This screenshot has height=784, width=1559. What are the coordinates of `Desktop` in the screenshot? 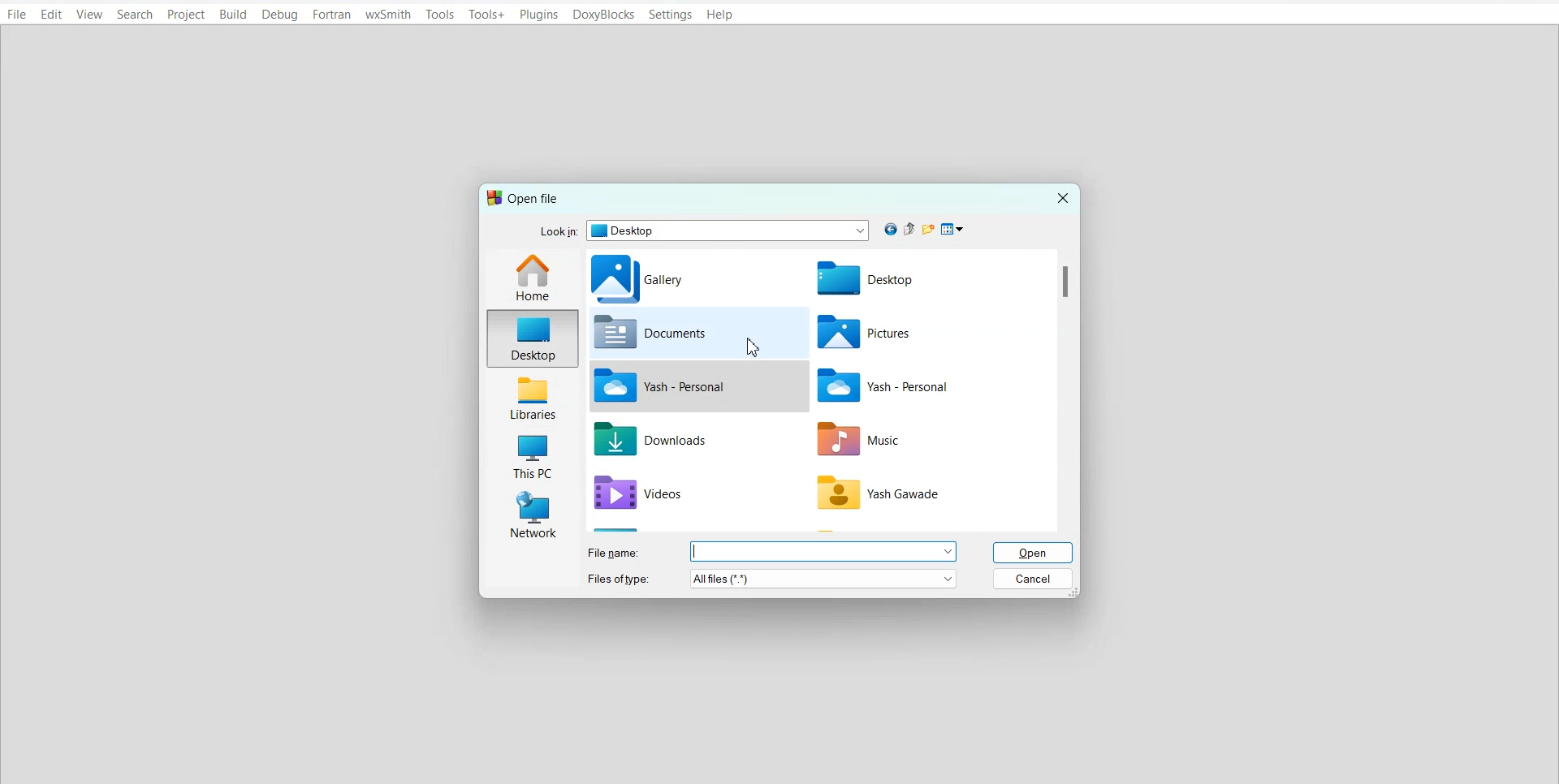 It's located at (535, 337).